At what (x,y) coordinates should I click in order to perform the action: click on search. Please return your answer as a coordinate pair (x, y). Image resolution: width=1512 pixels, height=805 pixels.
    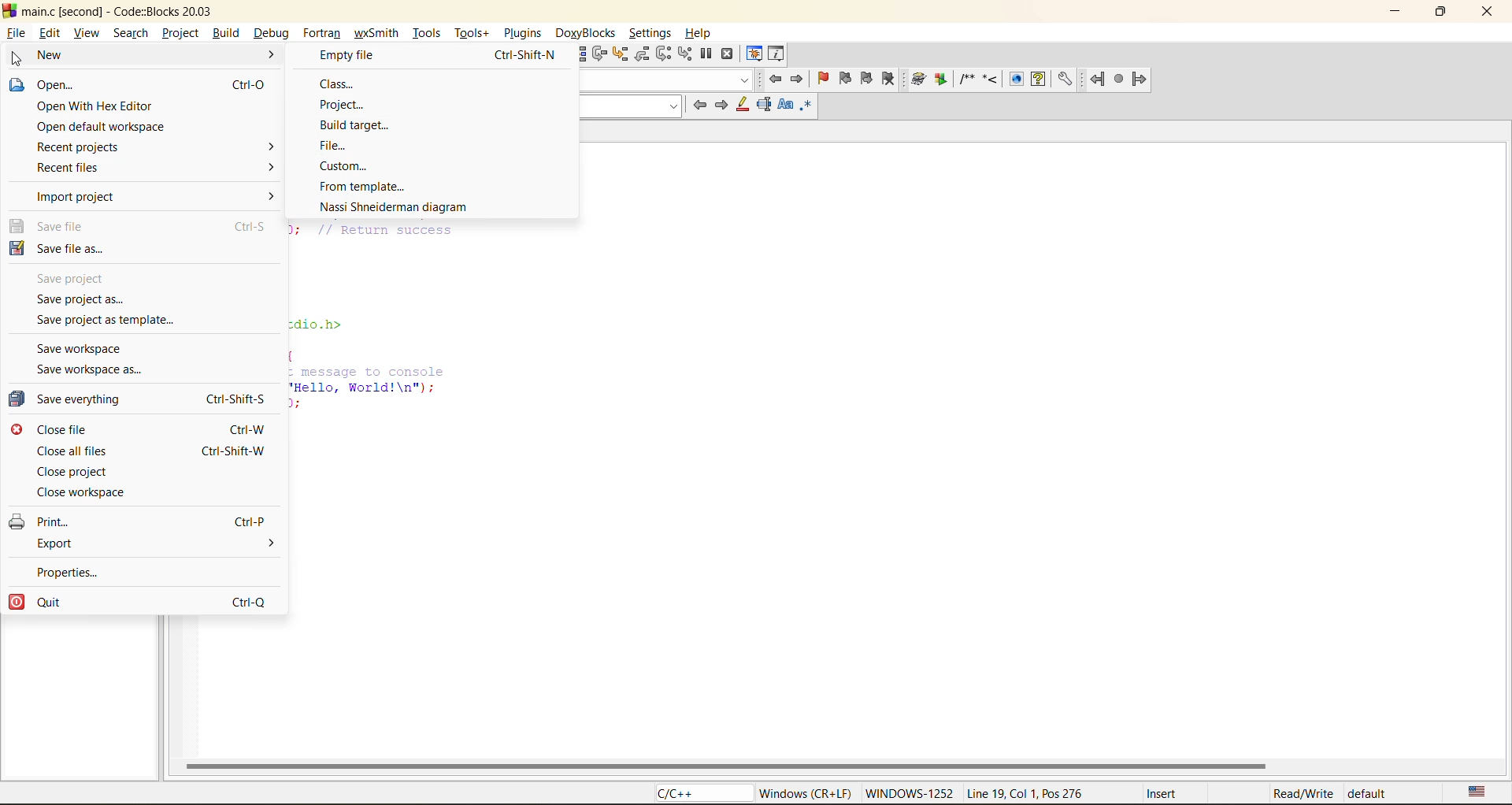
    Looking at the image, I should click on (128, 32).